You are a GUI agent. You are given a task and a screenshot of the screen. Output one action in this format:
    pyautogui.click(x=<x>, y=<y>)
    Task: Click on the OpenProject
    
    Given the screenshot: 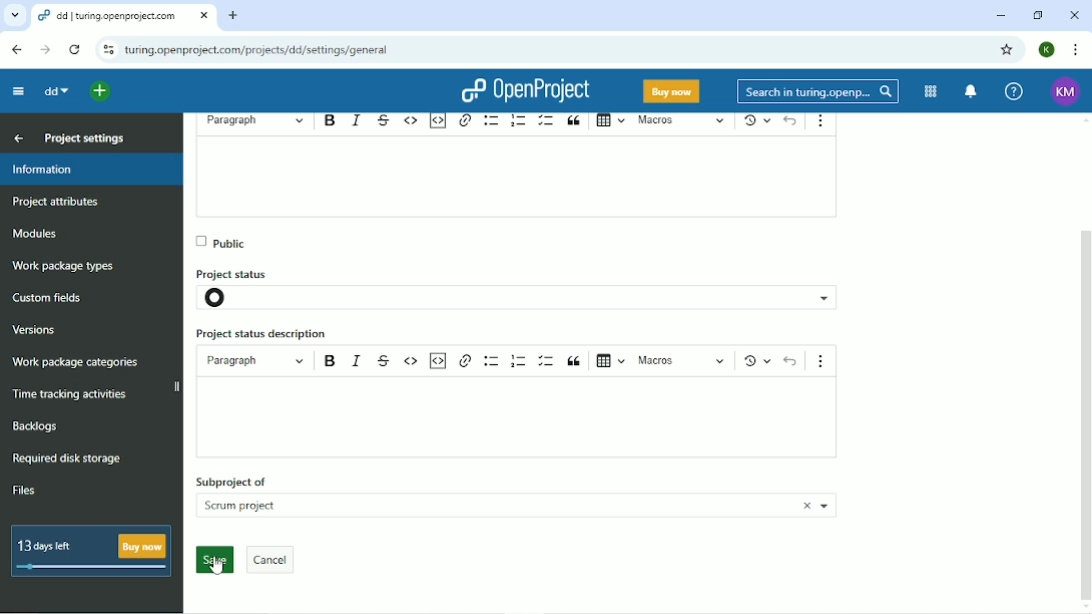 What is the action you would take?
    pyautogui.click(x=526, y=89)
    